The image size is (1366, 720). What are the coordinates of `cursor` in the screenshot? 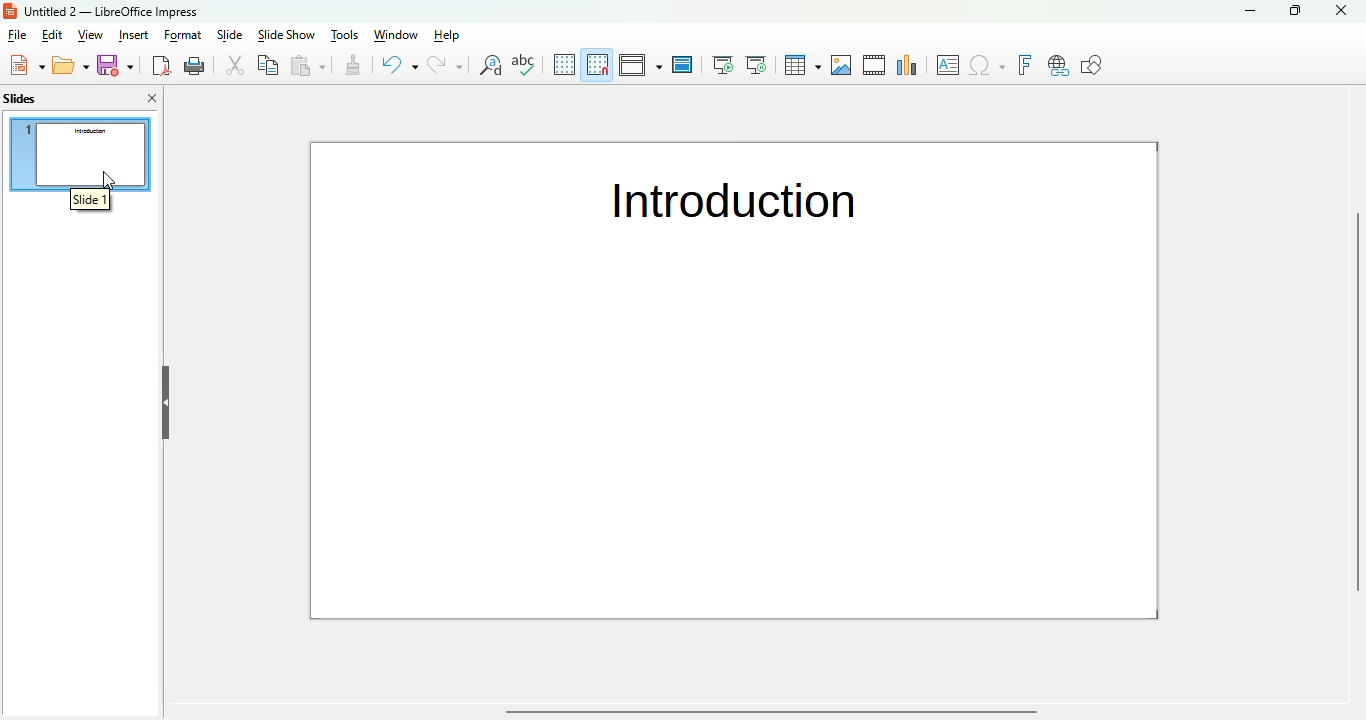 It's located at (108, 180).